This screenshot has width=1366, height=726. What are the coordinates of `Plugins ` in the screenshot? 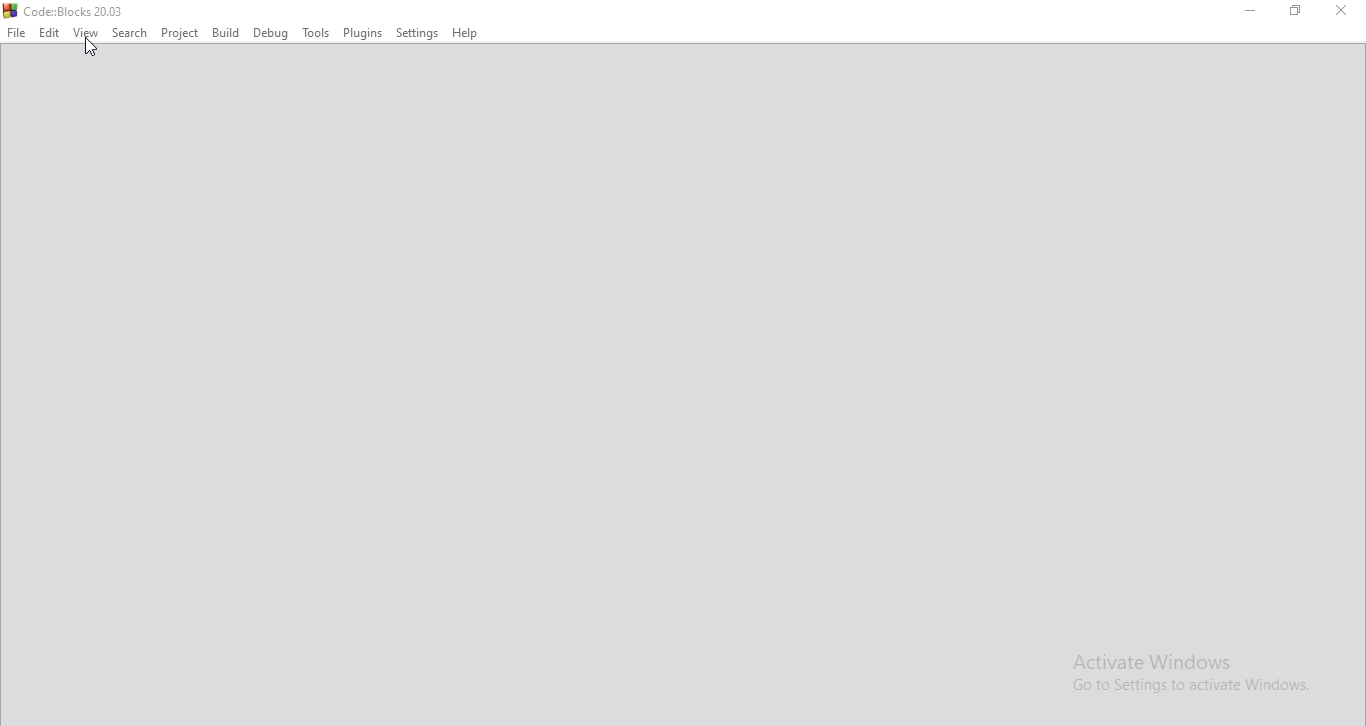 It's located at (364, 31).